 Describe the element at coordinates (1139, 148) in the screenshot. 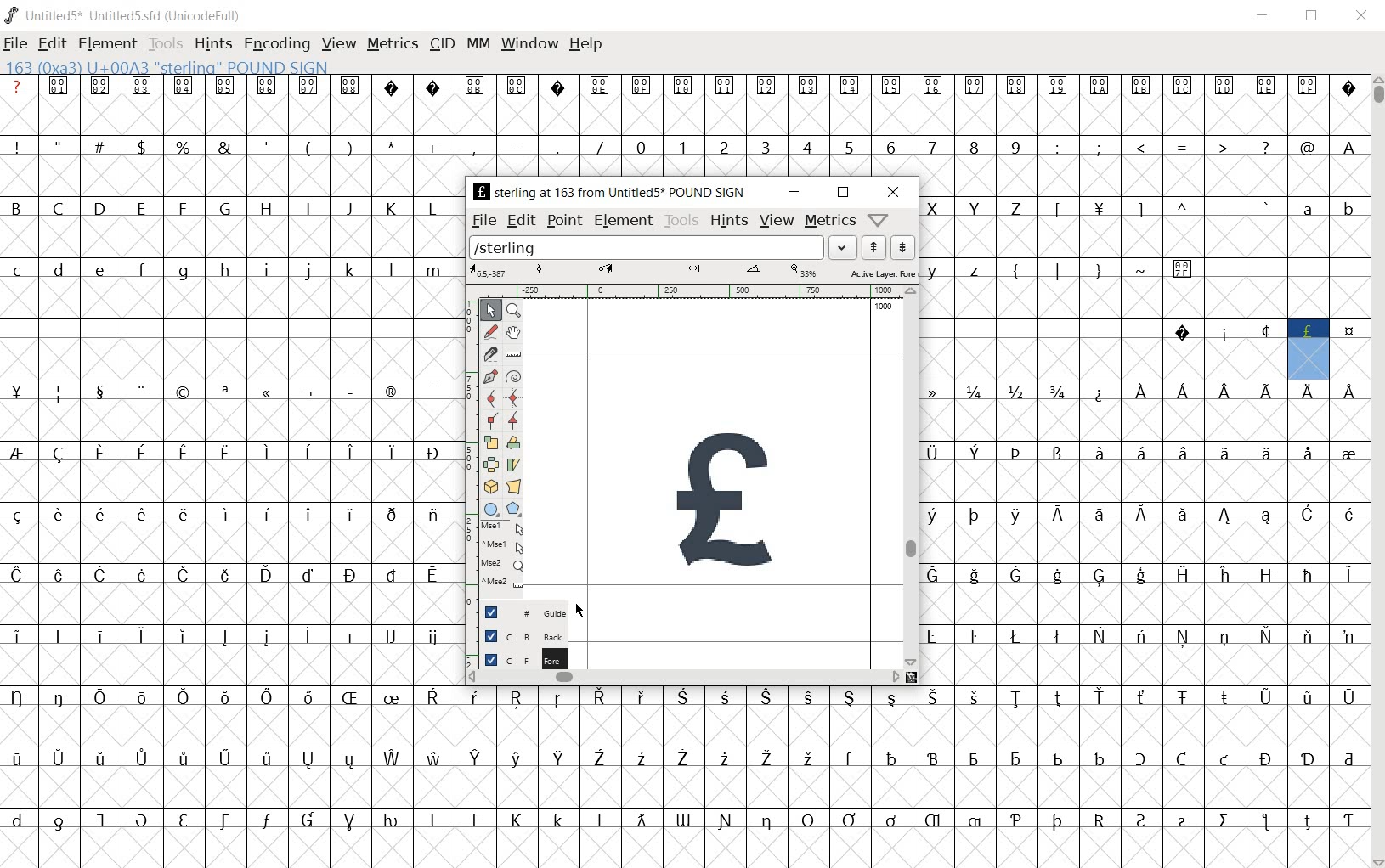

I see `<` at that location.